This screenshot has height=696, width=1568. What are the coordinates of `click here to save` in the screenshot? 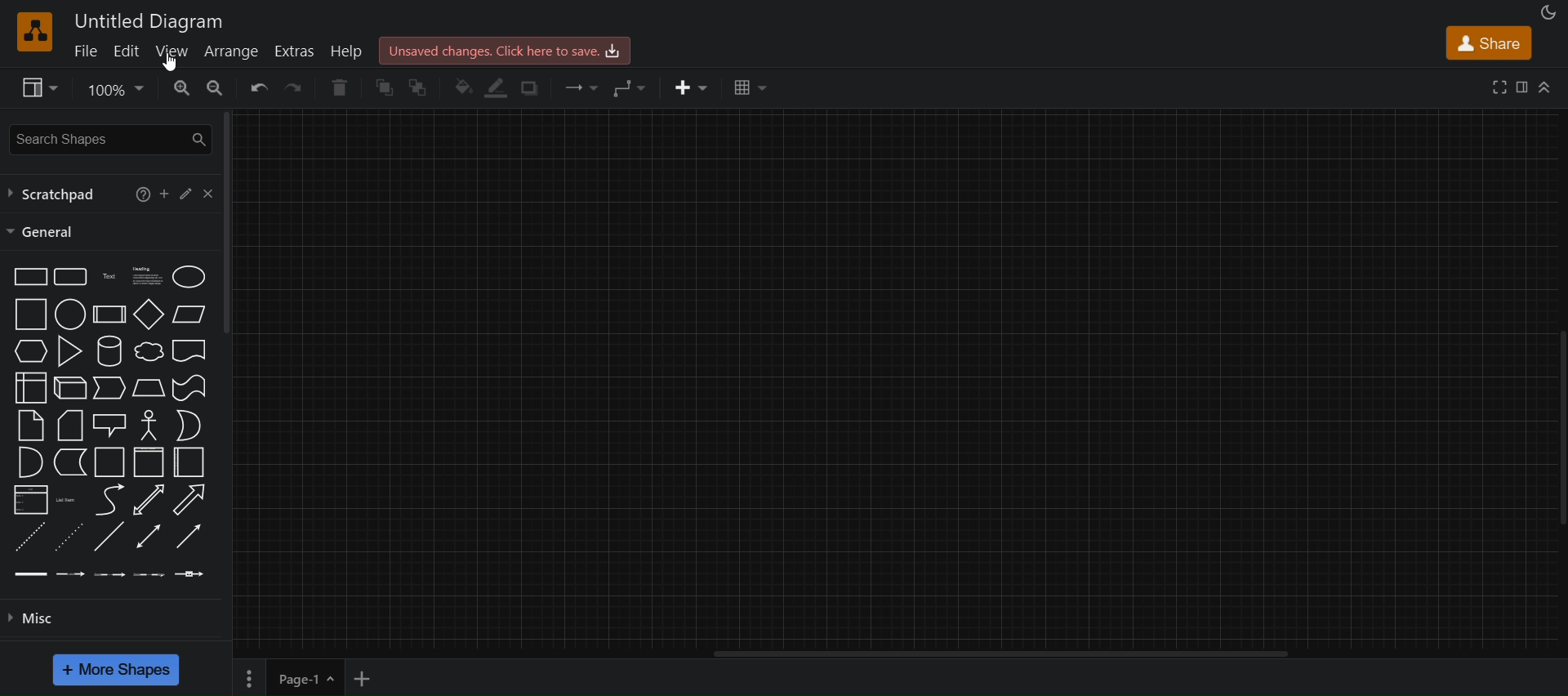 It's located at (501, 51).